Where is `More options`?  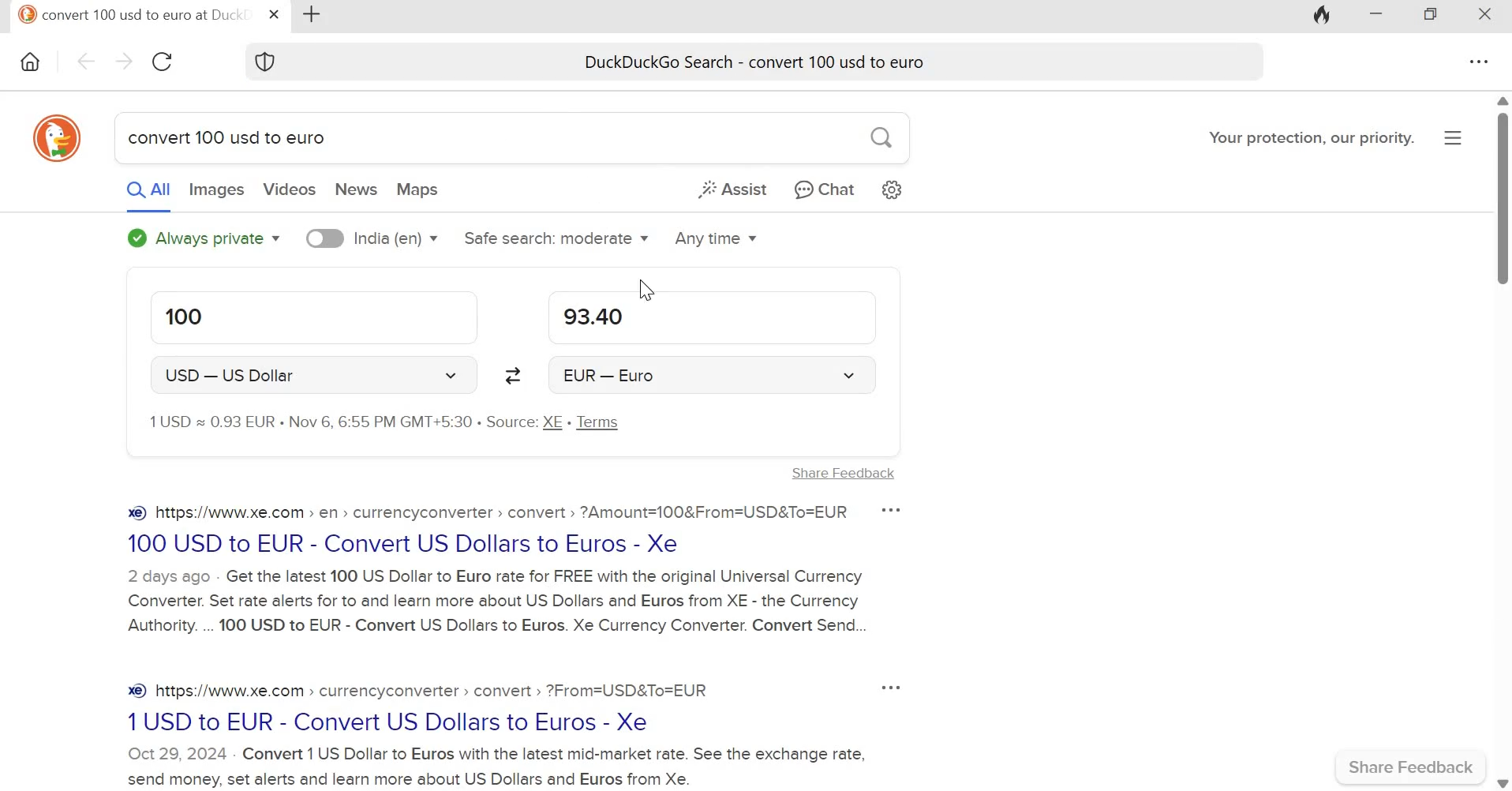
More options is located at coordinates (896, 510).